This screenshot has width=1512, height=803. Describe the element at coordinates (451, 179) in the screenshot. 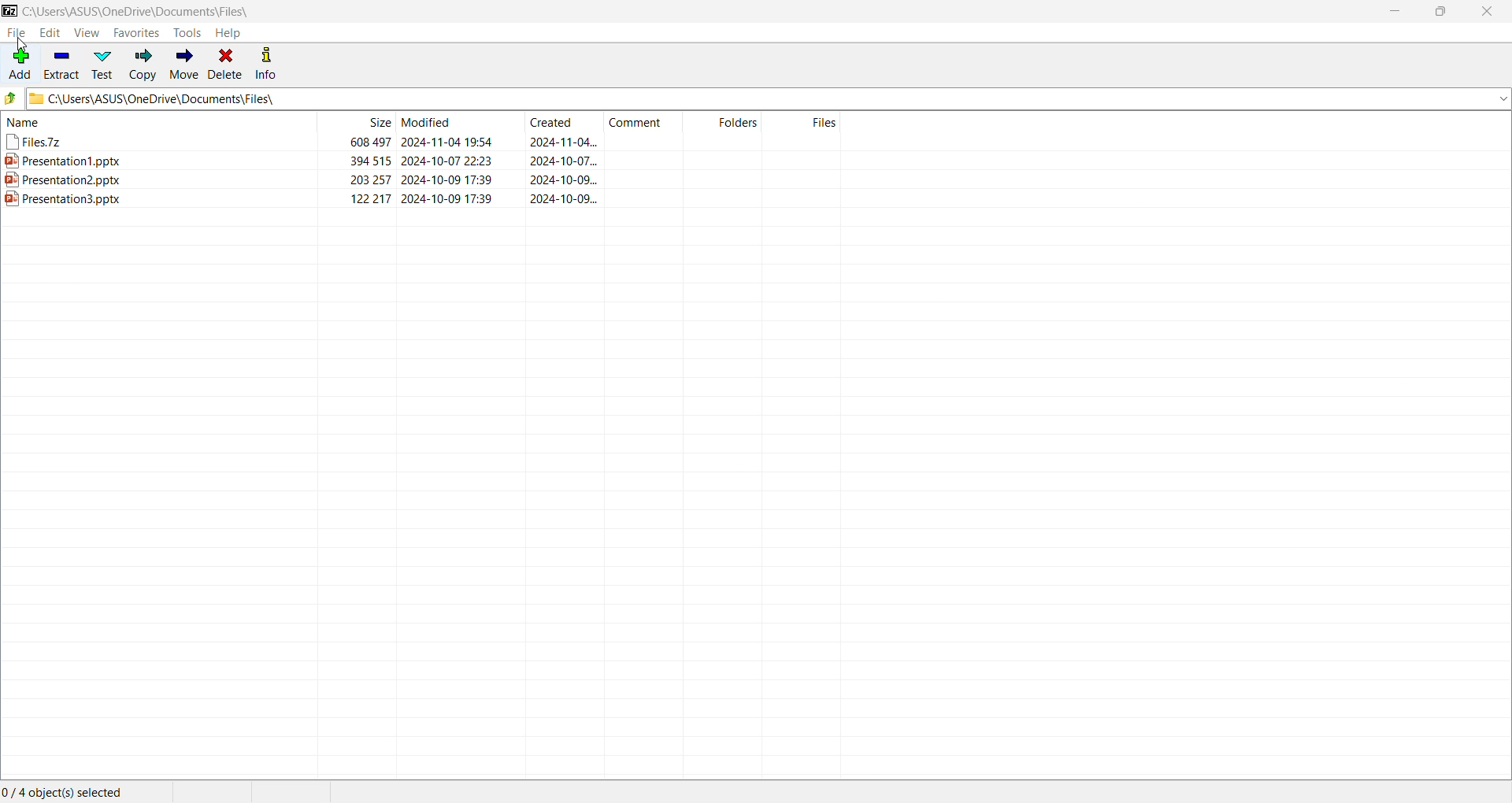

I see `2024-10-09 17:39` at that location.